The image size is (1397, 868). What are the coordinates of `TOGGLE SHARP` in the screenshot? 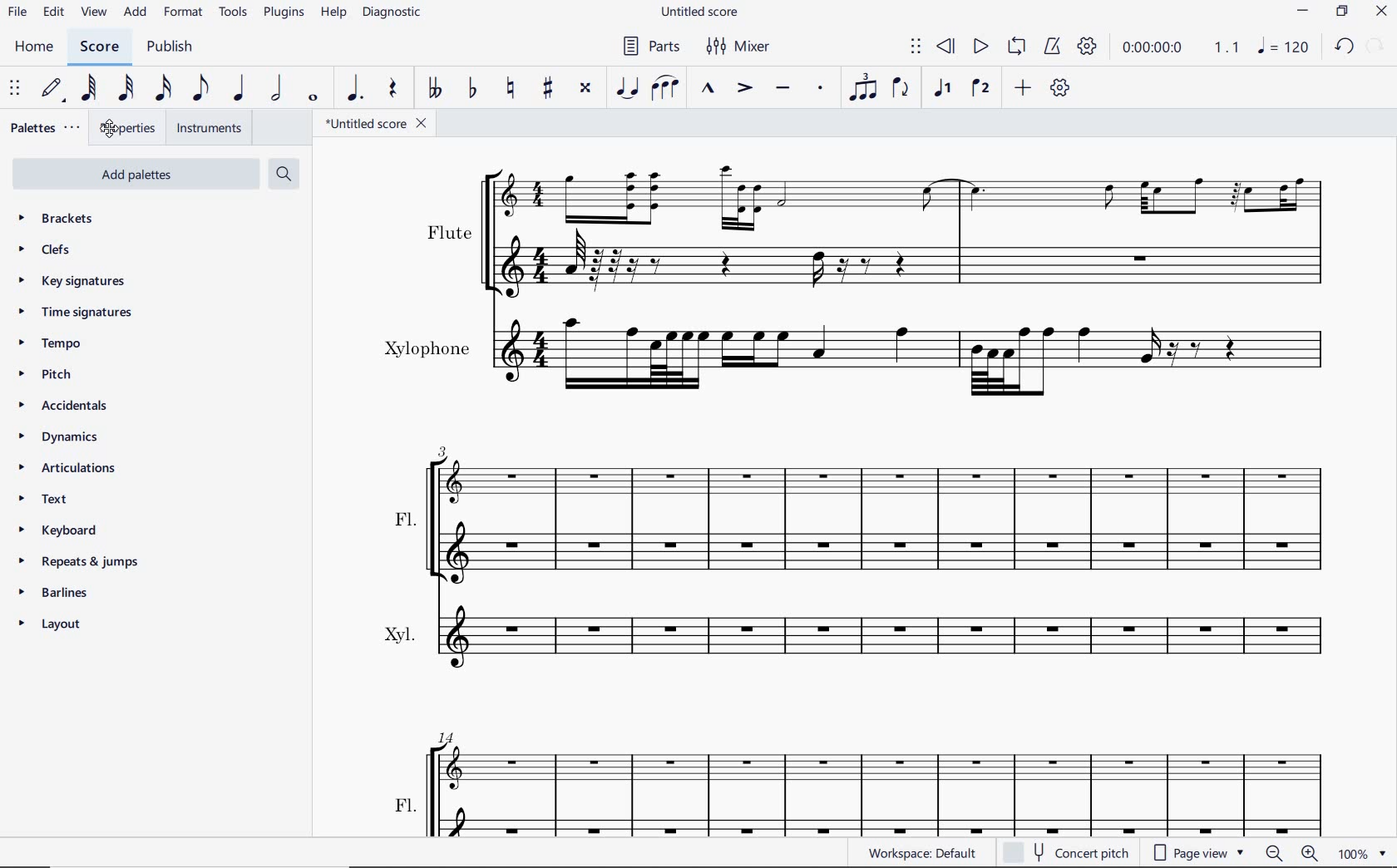 It's located at (545, 89).